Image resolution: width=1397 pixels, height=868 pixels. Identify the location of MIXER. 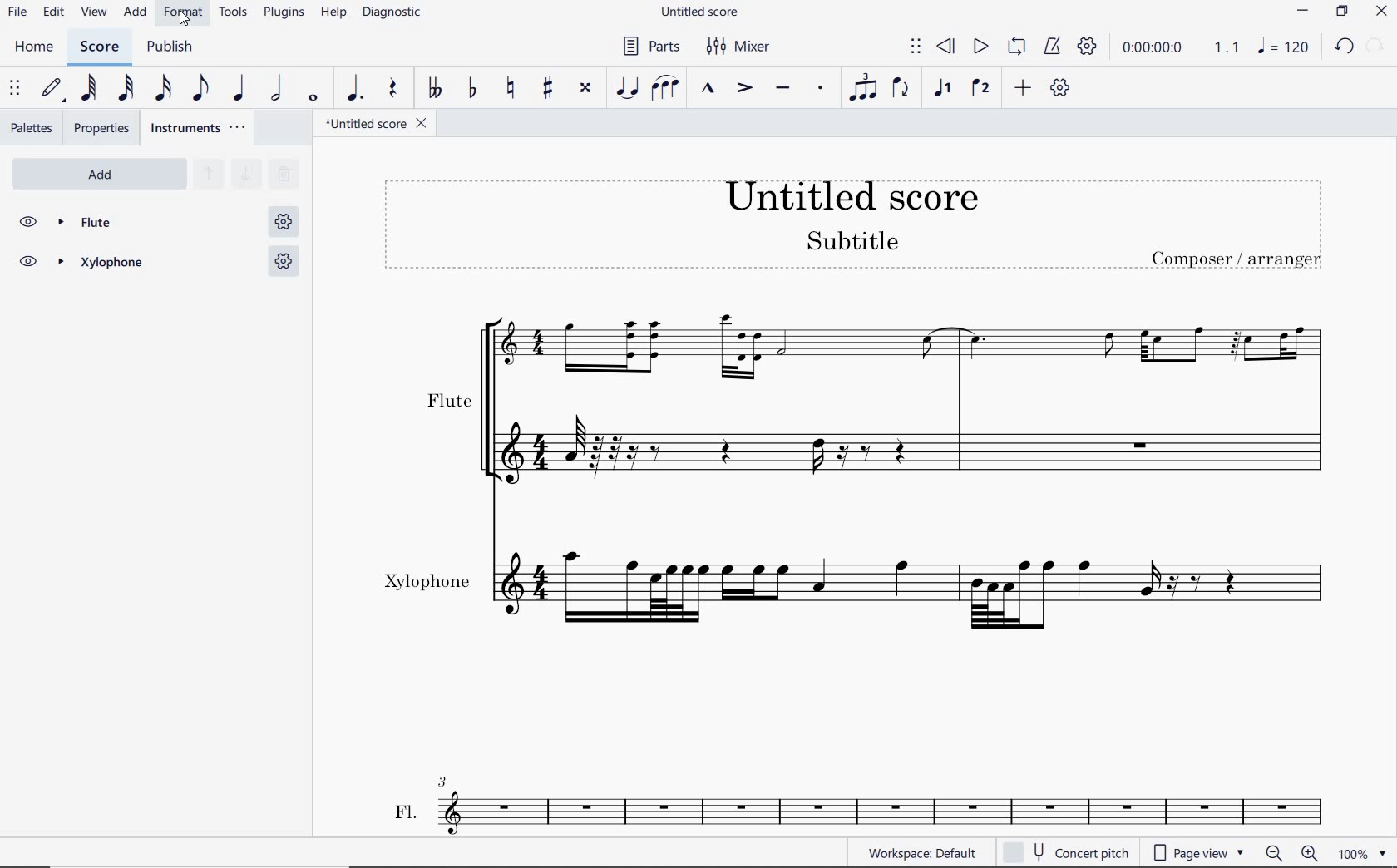
(741, 47).